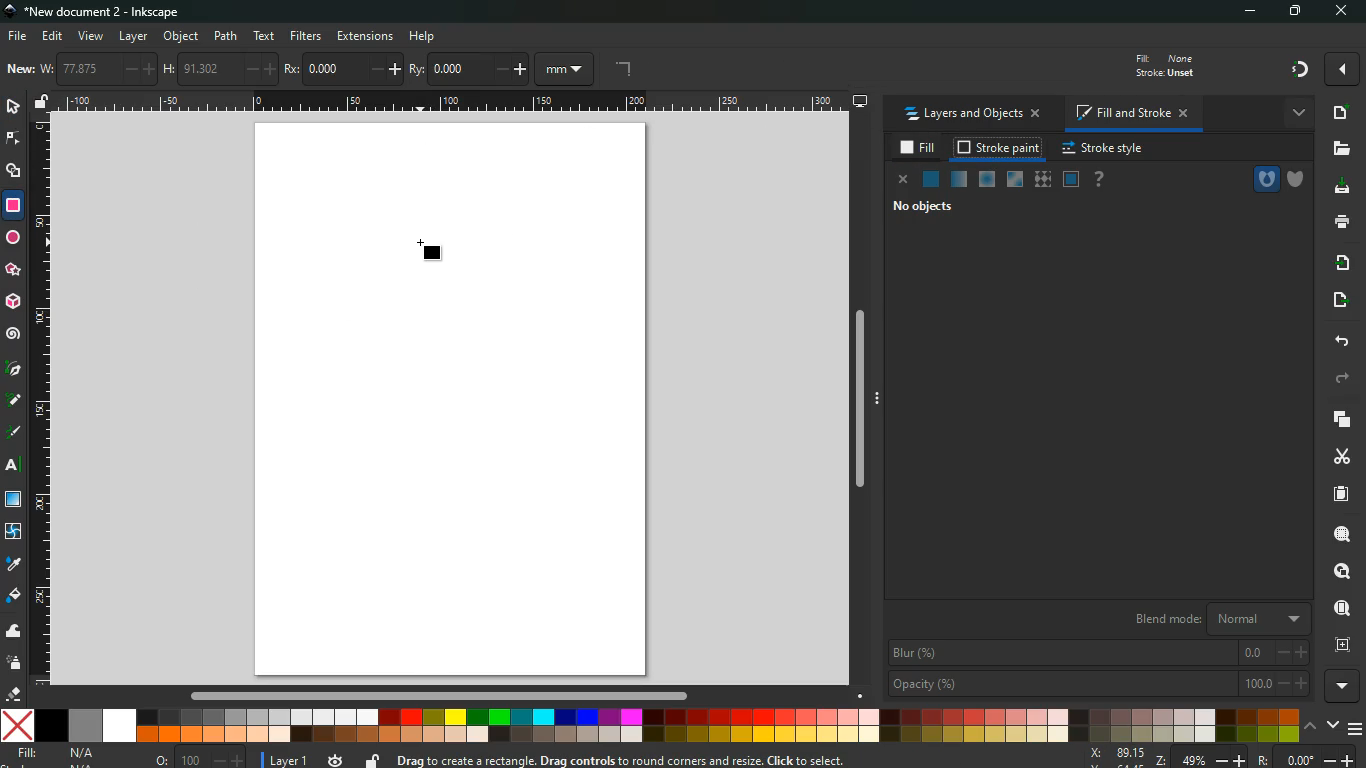 The width and height of the screenshot is (1366, 768). Describe the element at coordinates (1213, 757) in the screenshot. I see `zoom` at that location.